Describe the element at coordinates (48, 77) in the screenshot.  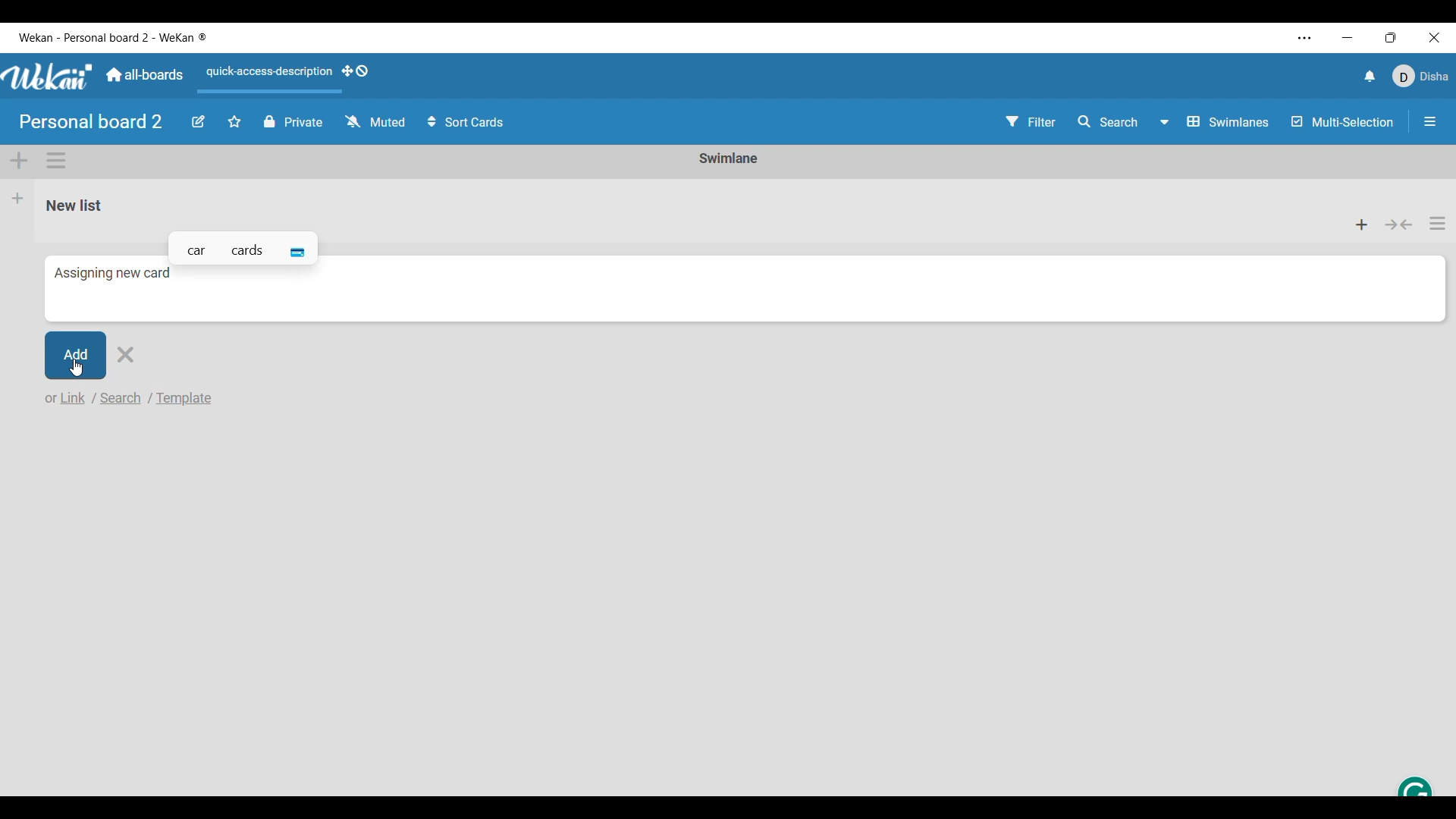
I see `Software logo` at that location.